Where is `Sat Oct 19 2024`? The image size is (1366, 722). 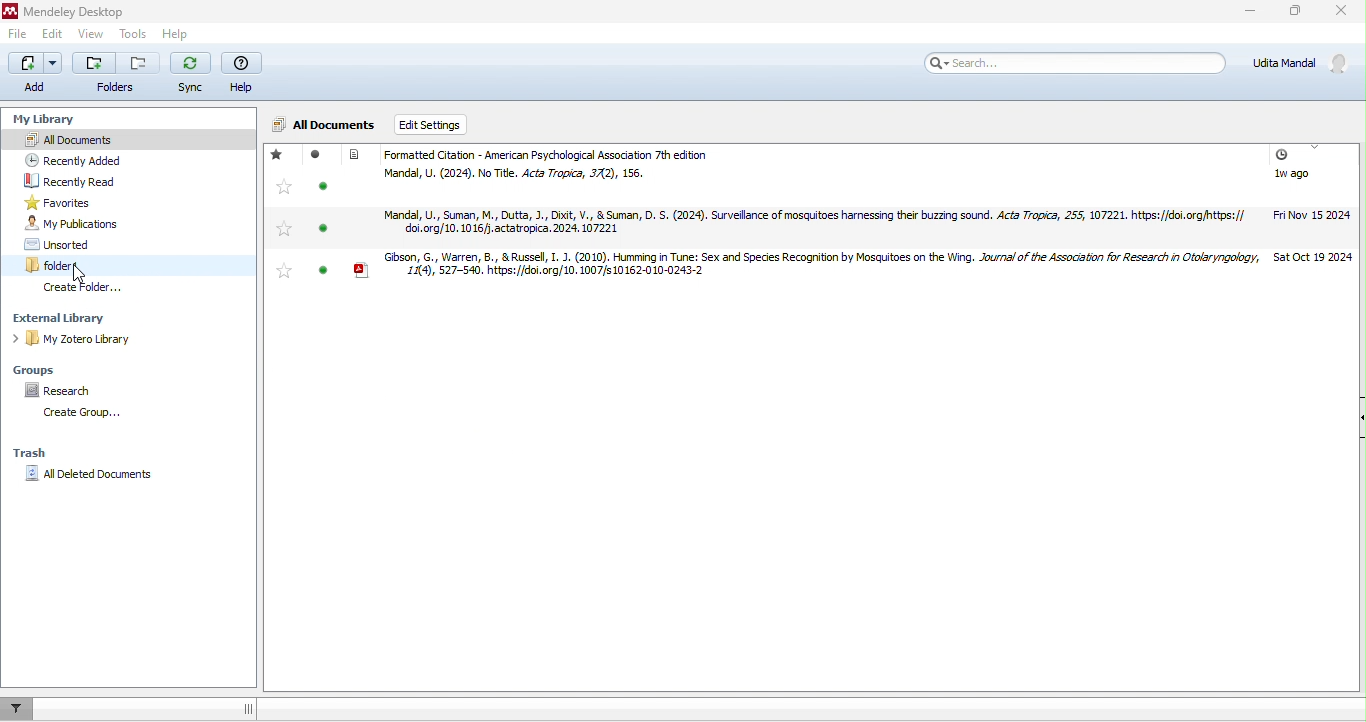 Sat Oct 19 2024 is located at coordinates (1314, 257).